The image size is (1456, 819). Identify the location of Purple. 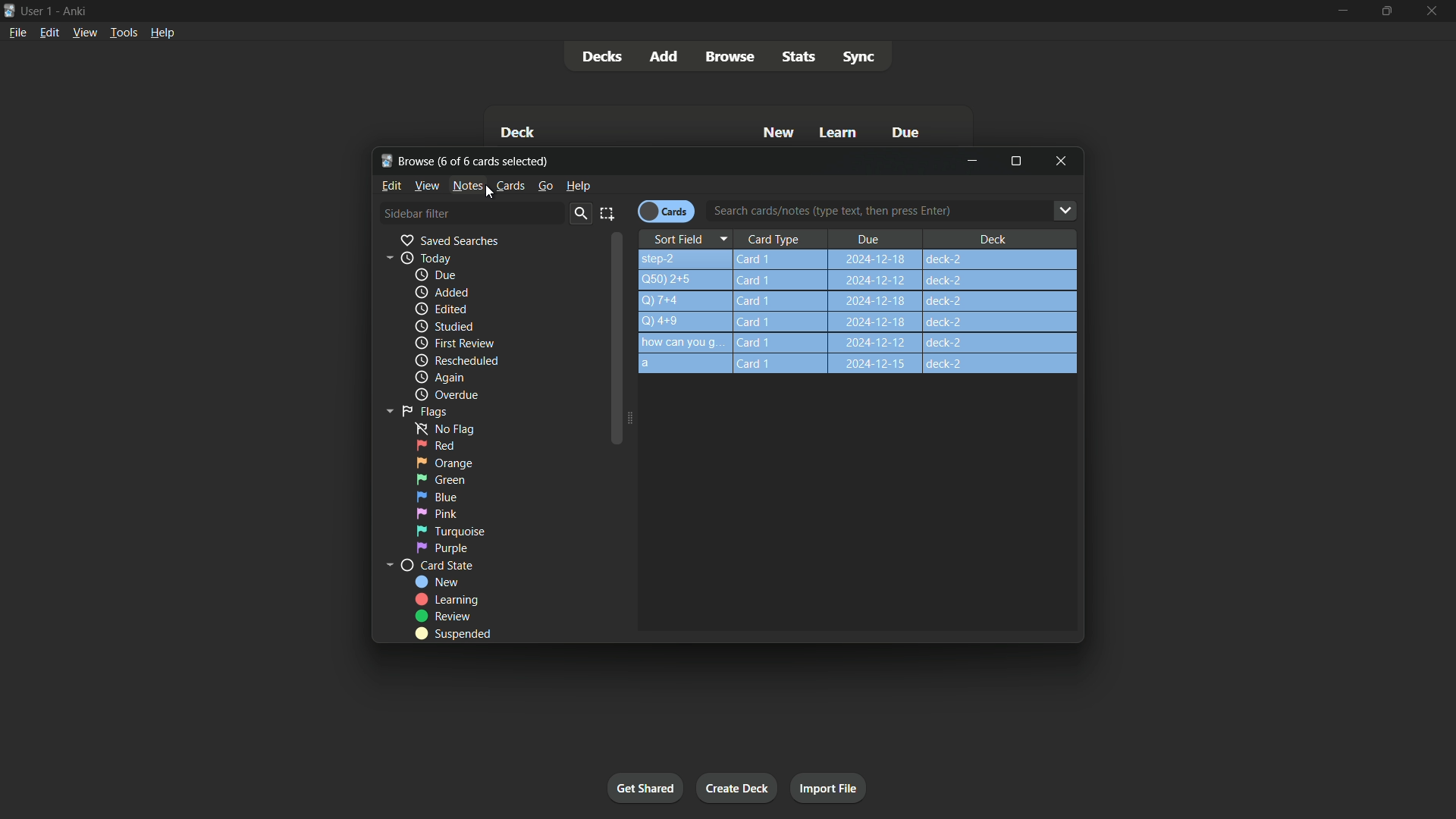
(444, 548).